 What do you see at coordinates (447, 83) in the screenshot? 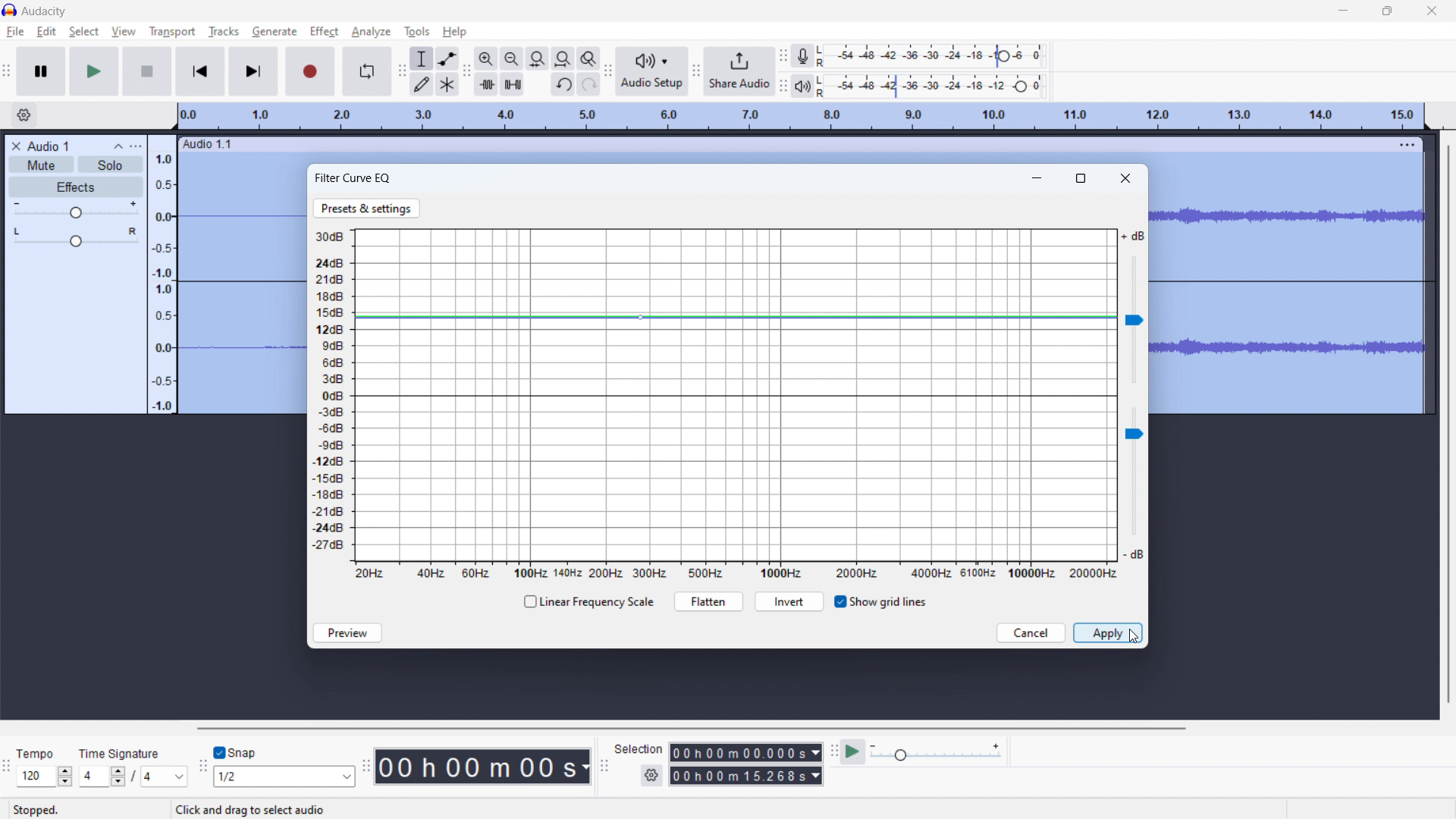
I see `multi tool` at bounding box center [447, 83].